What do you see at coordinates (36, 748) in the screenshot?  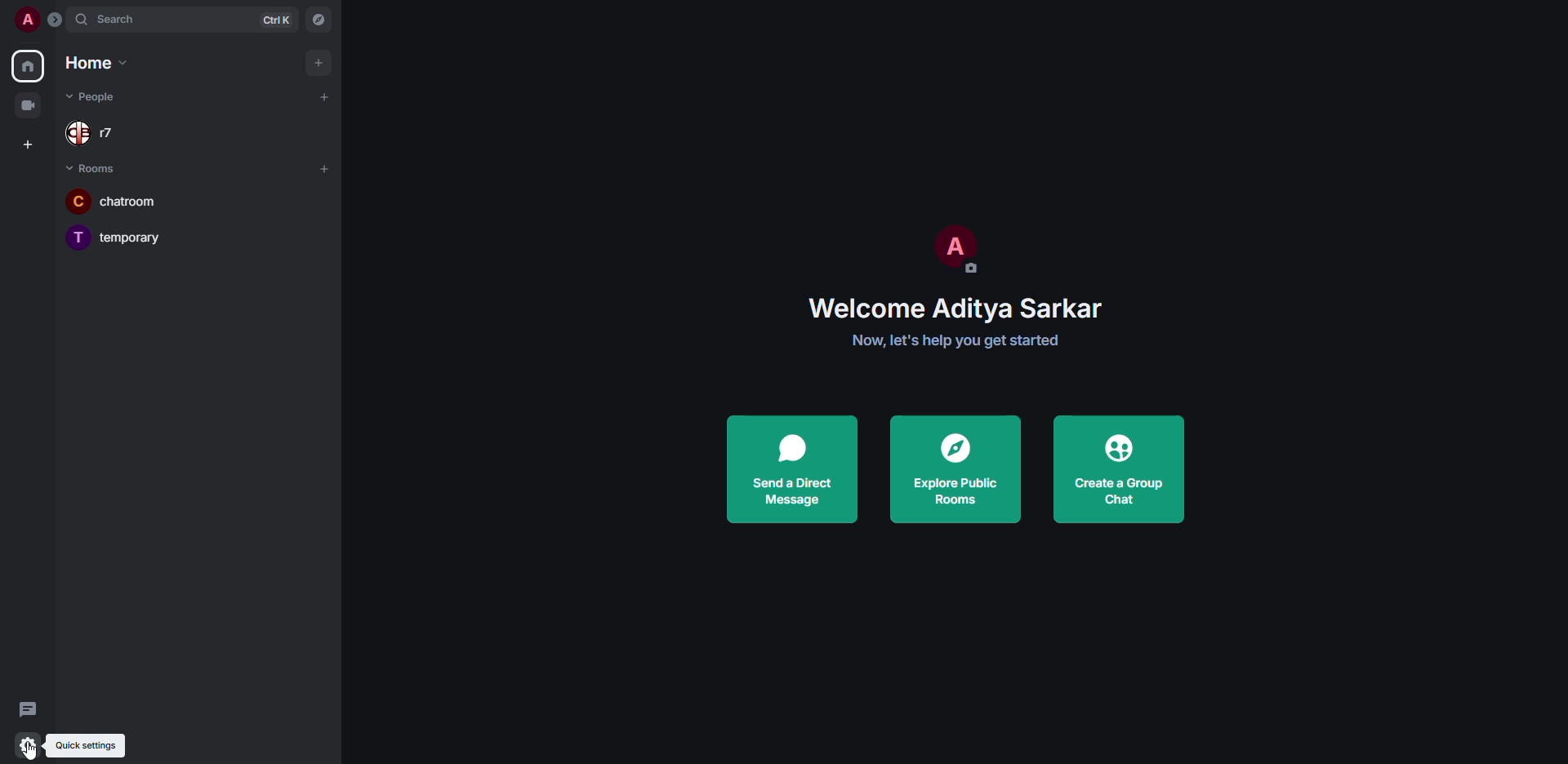 I see `cursor` at bounding box center [36, 748].